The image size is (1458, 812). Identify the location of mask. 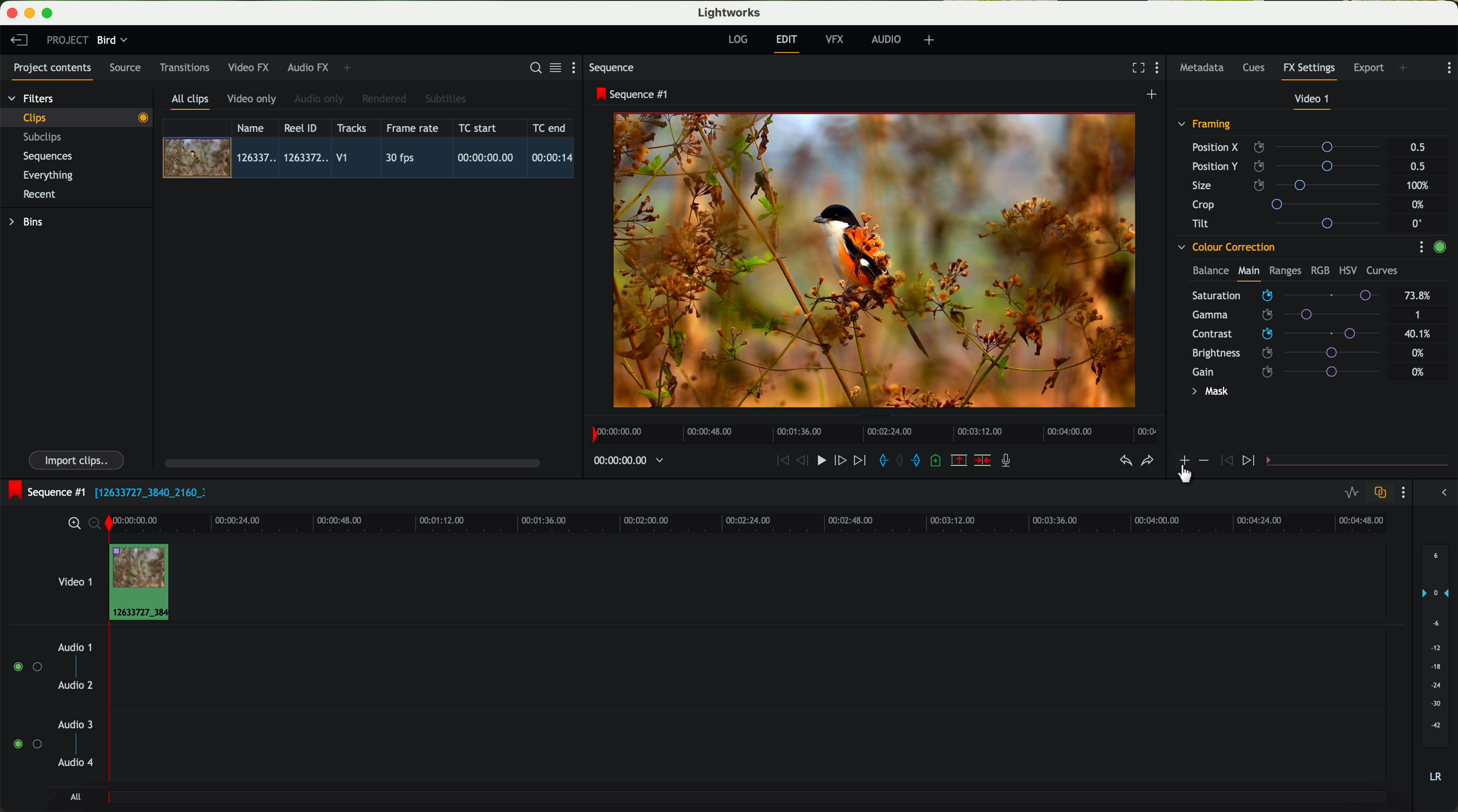
(1208, 393).